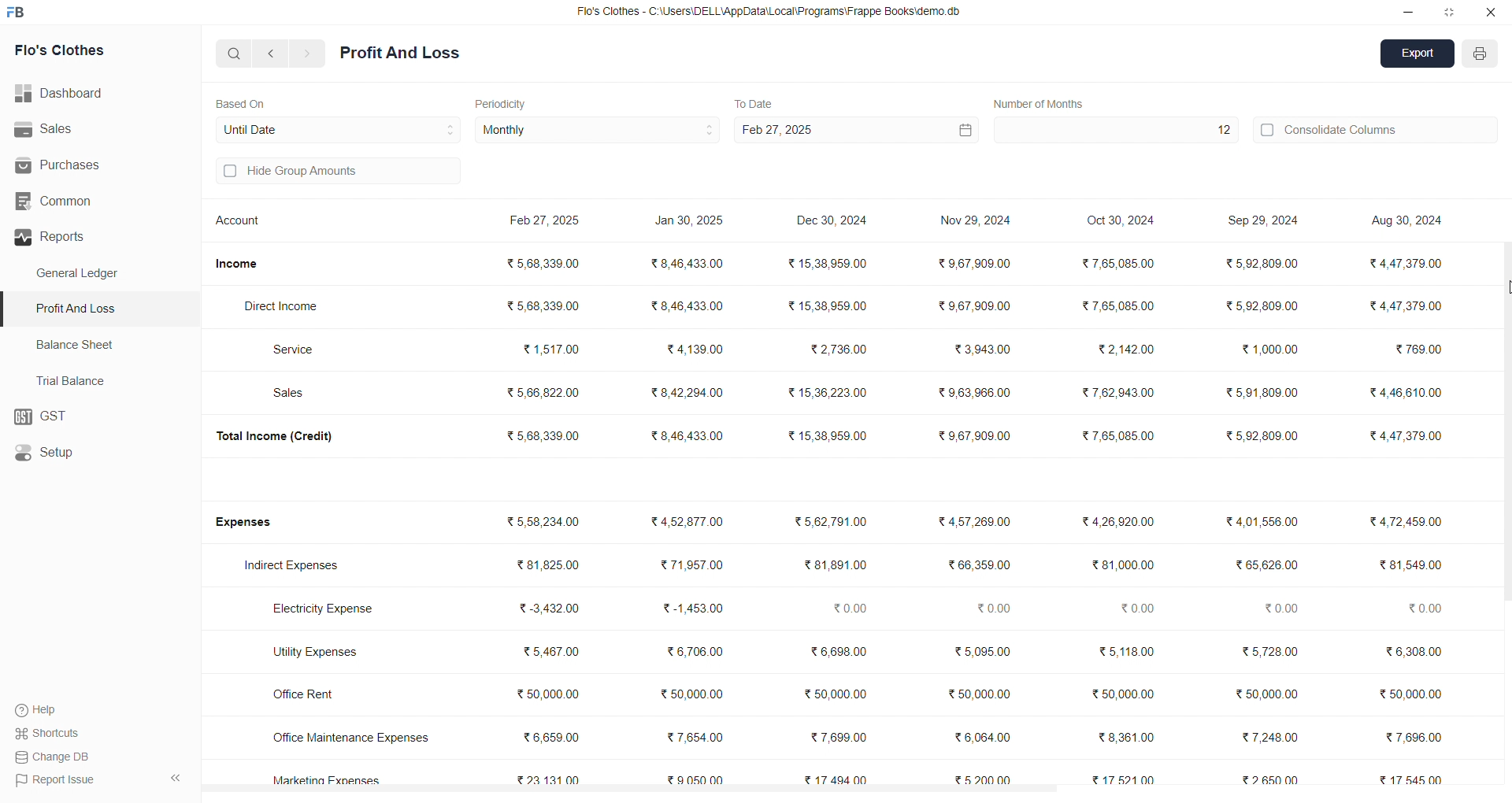 This screenshot has width=1512, height=803. Describe the element at coordinates (1114, 304) in the screenshot. I see `₹ 7,65,085.00` at that location.